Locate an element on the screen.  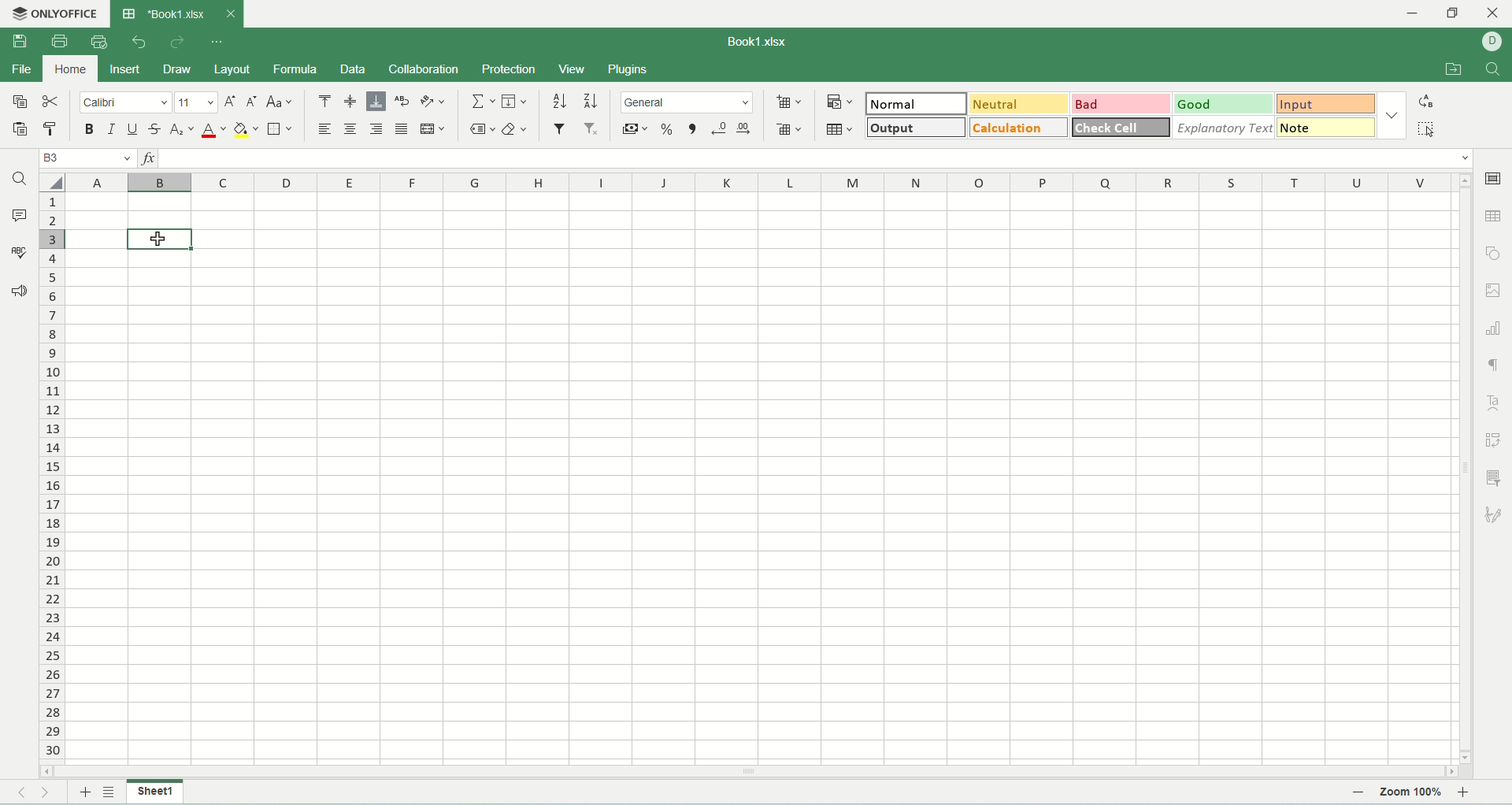
copy is located at coordinates (20, 101).